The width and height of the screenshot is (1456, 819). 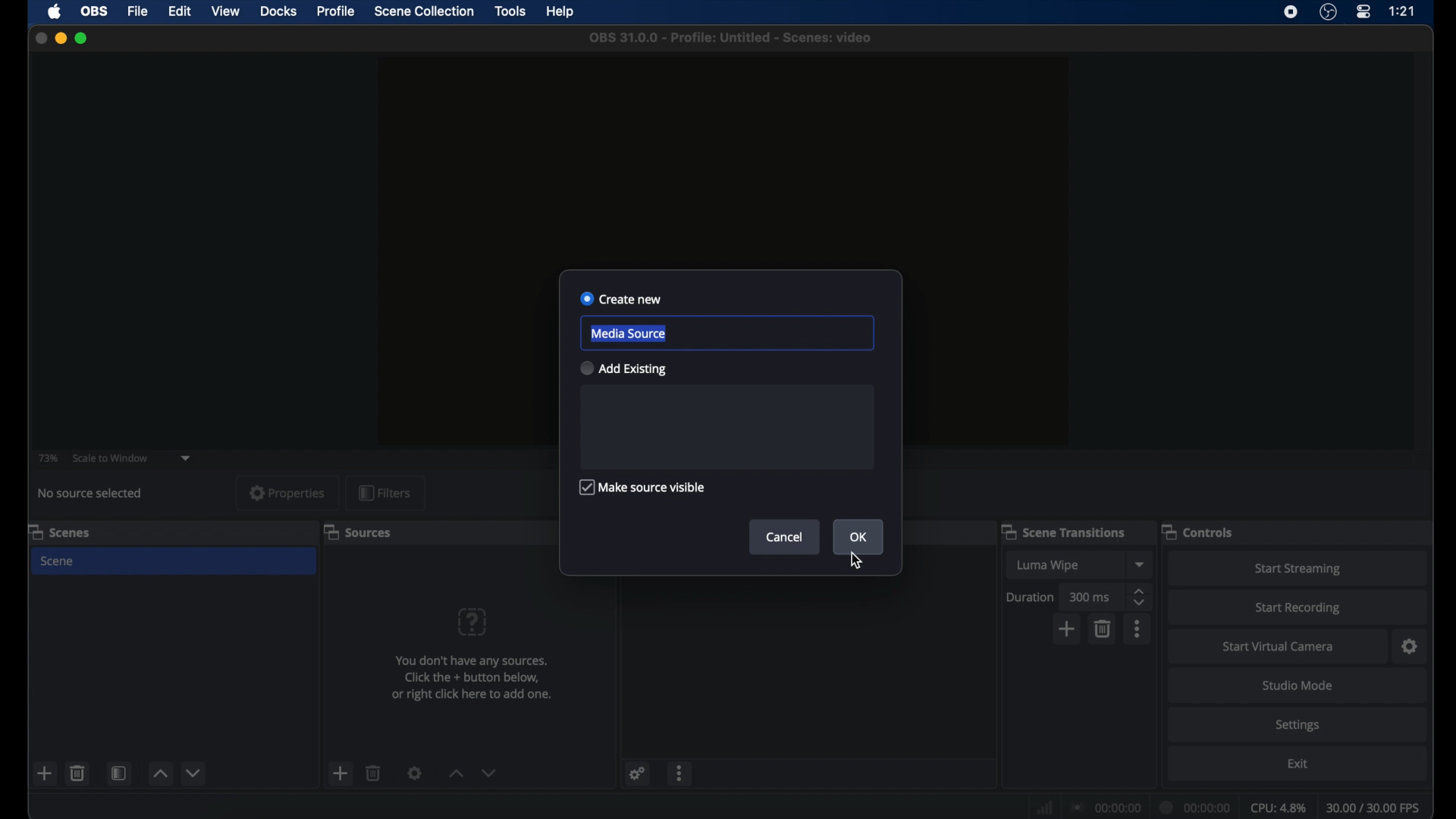 I want to click on time, so click(x=1401, y=11).